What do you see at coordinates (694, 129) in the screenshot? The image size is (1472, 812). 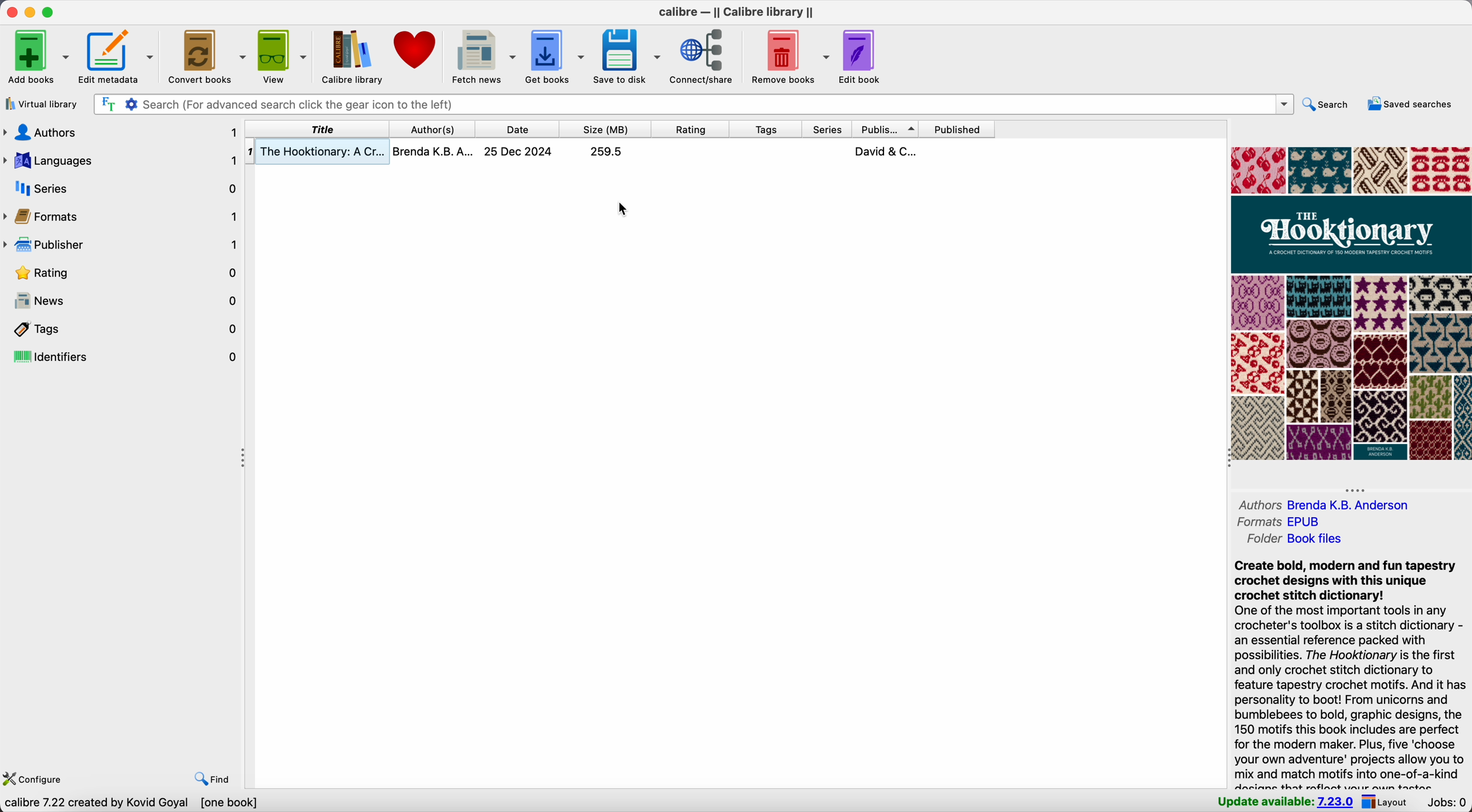 I see `rating` at bounding box center [694, 129].